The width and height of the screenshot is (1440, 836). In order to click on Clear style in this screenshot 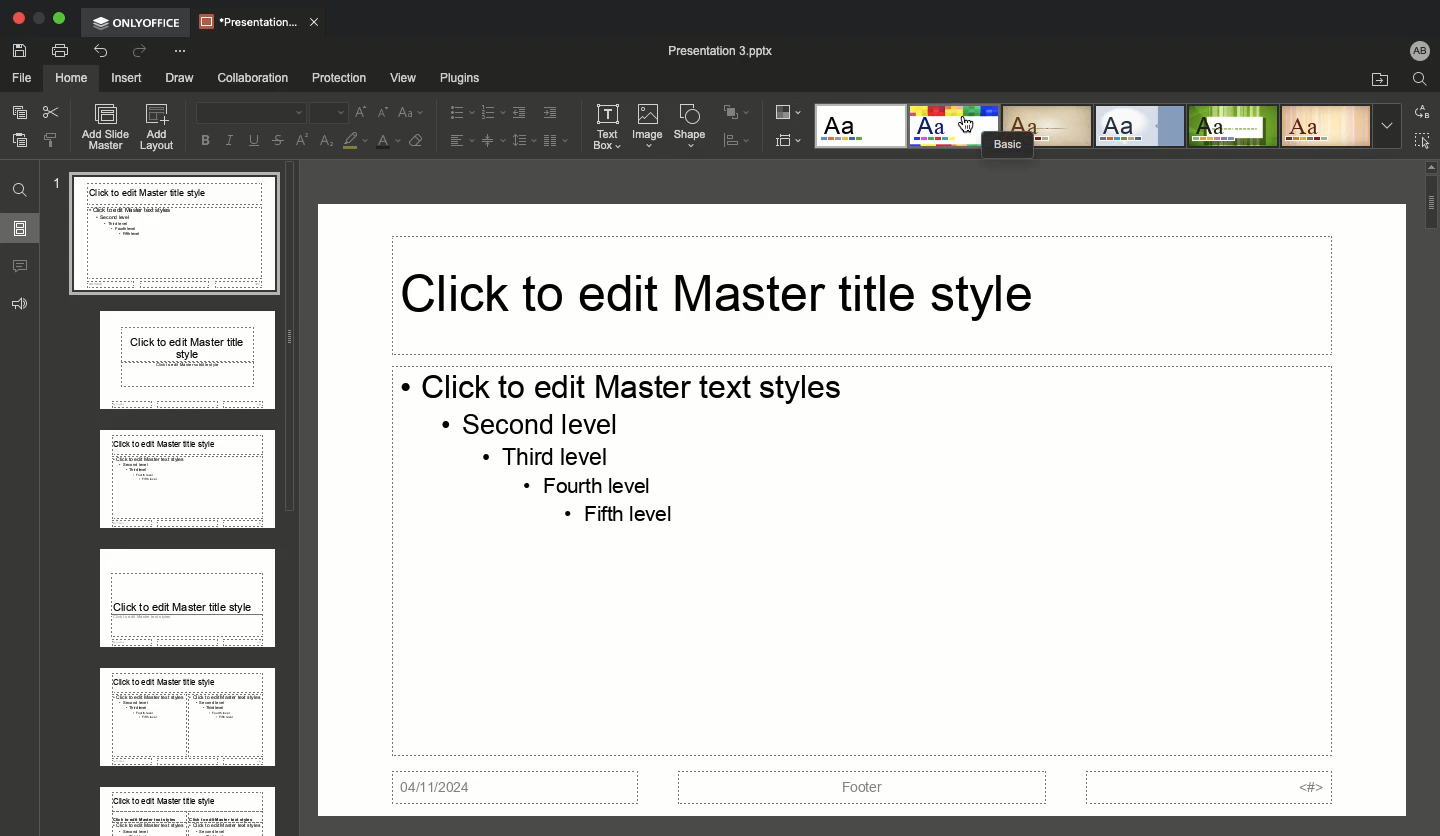, I will do `click(414, 143)`.